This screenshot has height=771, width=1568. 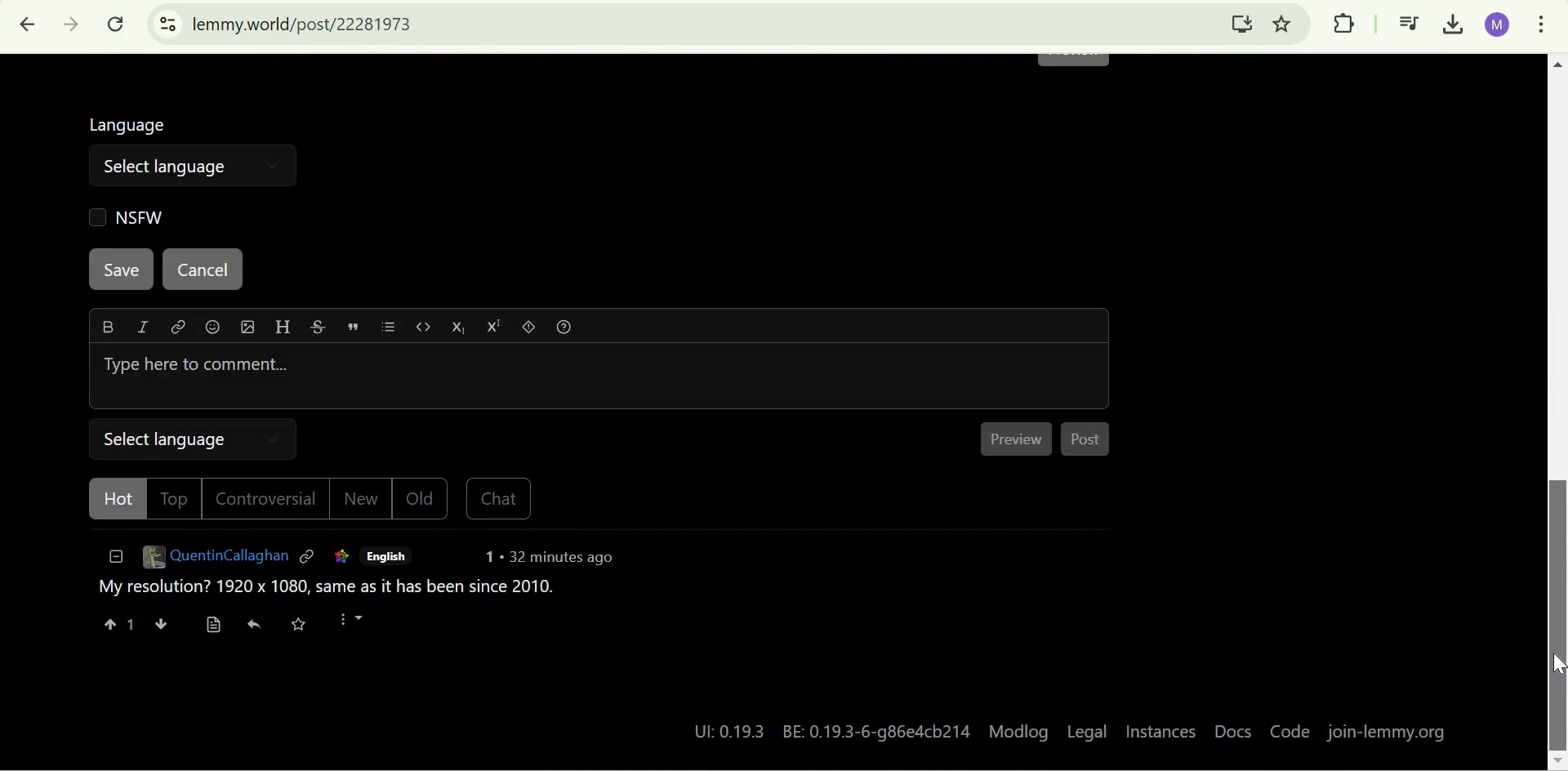 I want to click on Google account, so click(x=1498, y=25).